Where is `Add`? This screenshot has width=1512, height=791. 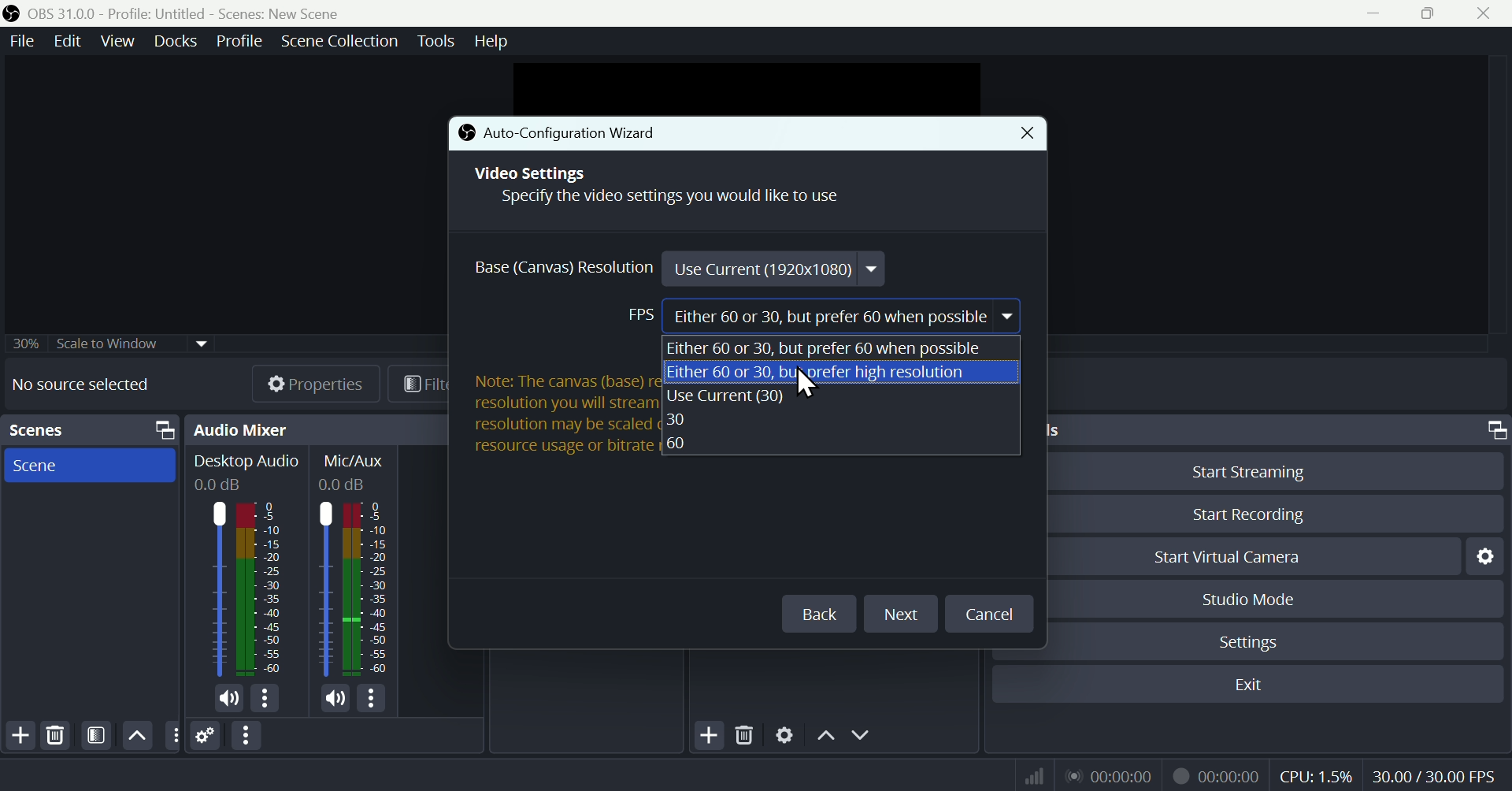
Add is located at coordinates (707, 733).